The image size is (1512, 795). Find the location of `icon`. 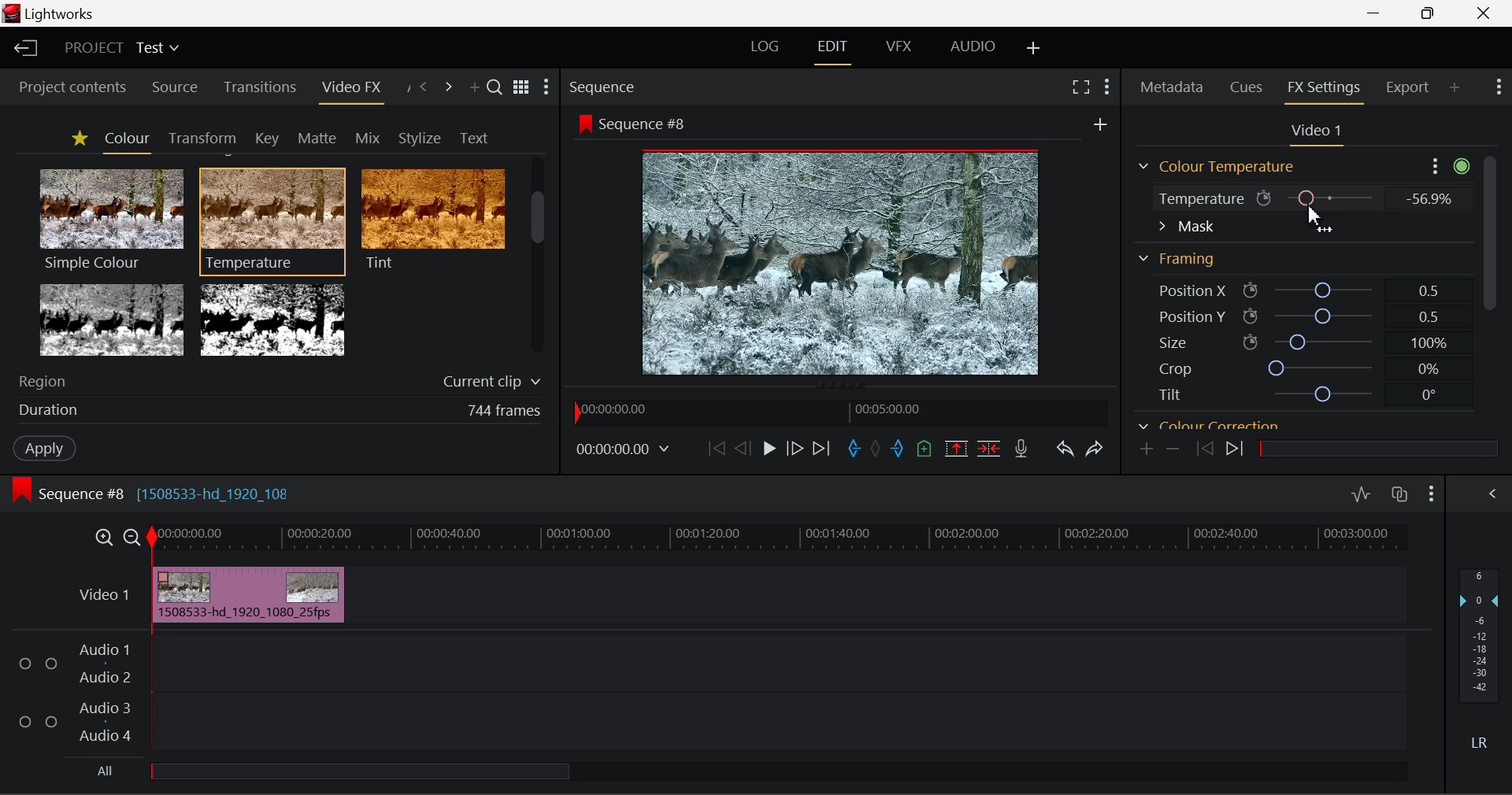

icon is located at coordinates (1265, 198).